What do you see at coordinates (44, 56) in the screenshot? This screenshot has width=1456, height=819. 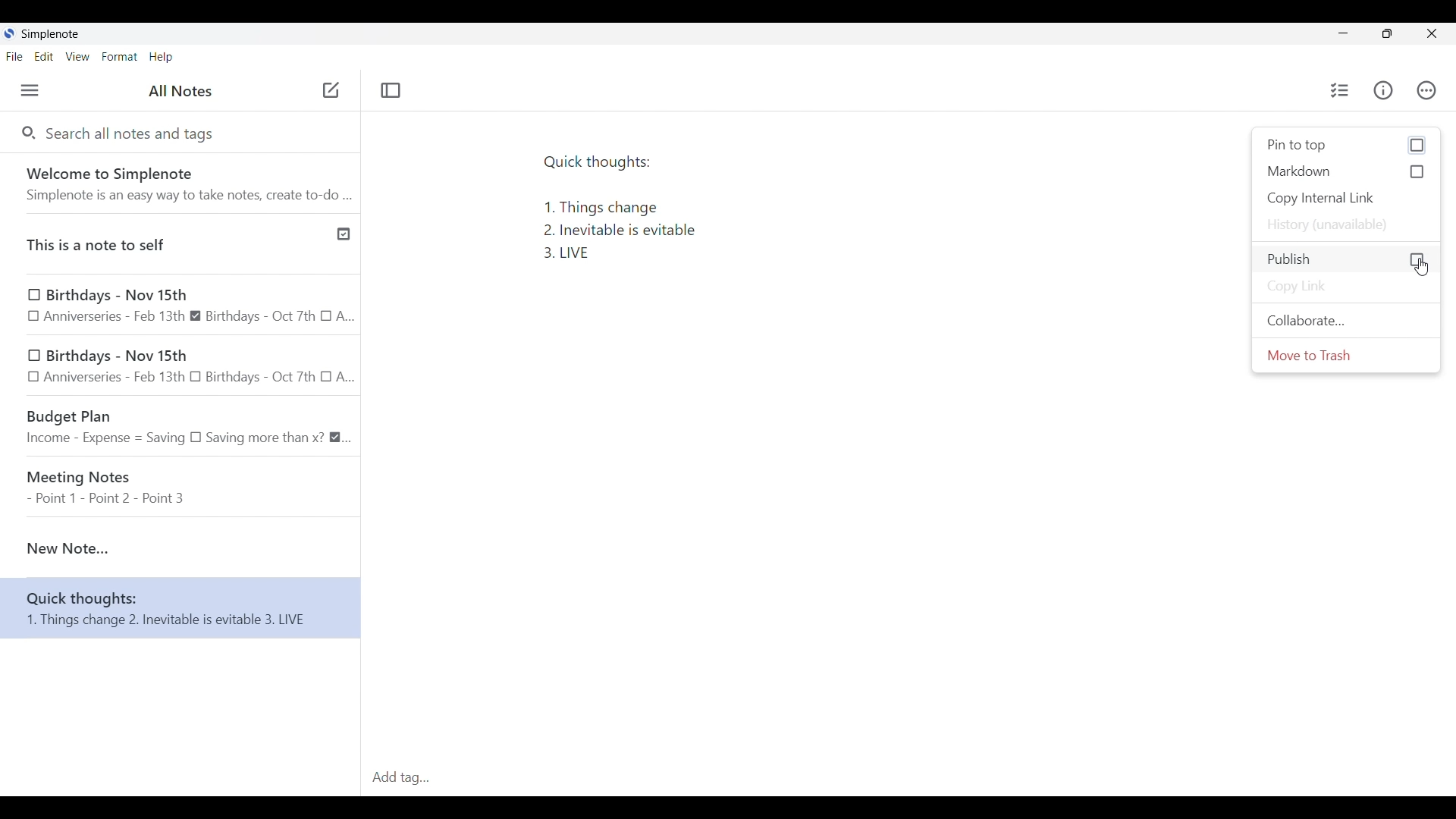 I see `Edit menu` at bounding box center [44, 56].